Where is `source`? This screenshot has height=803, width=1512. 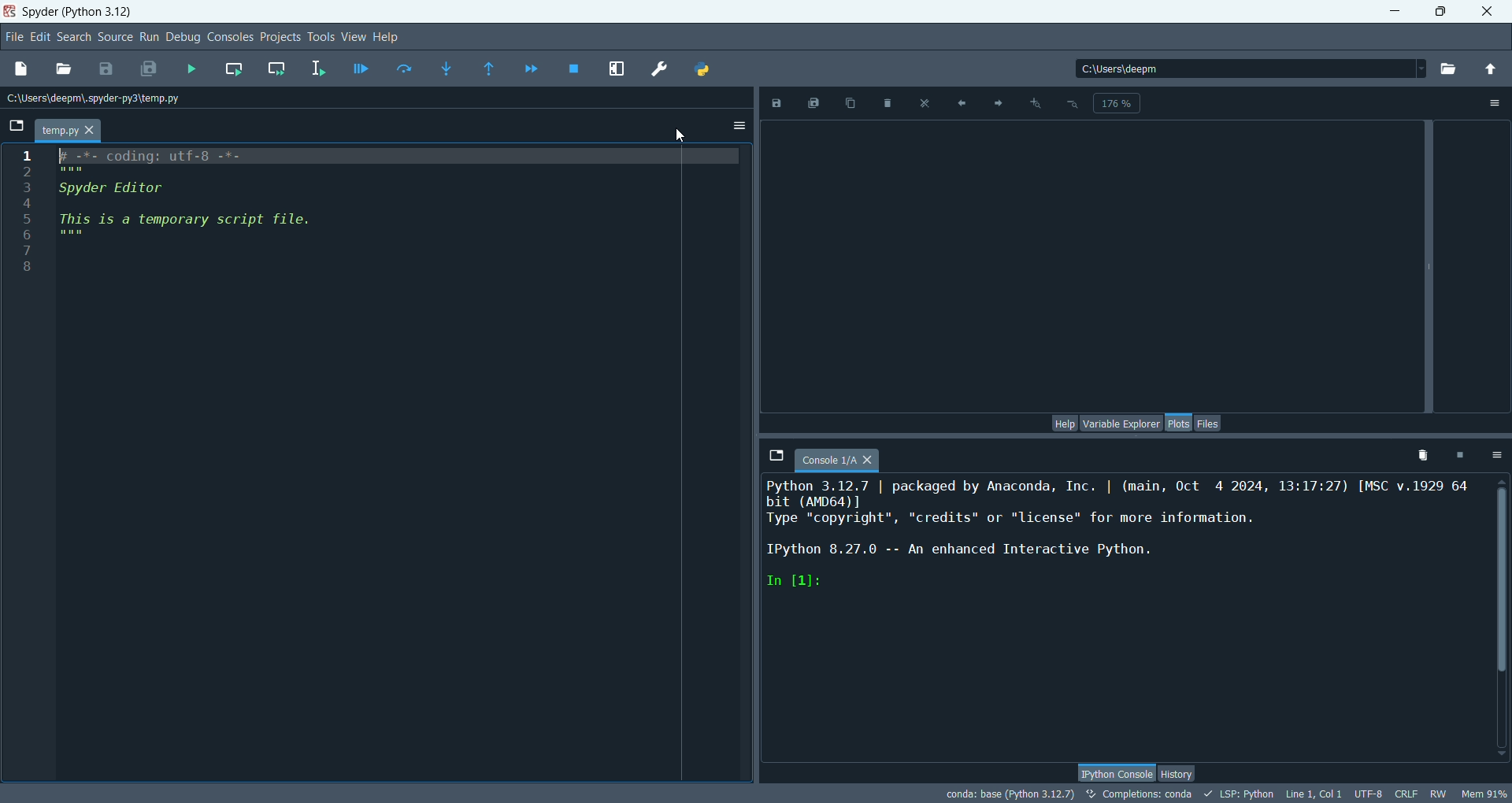 source is located at coordinates (116, 39).